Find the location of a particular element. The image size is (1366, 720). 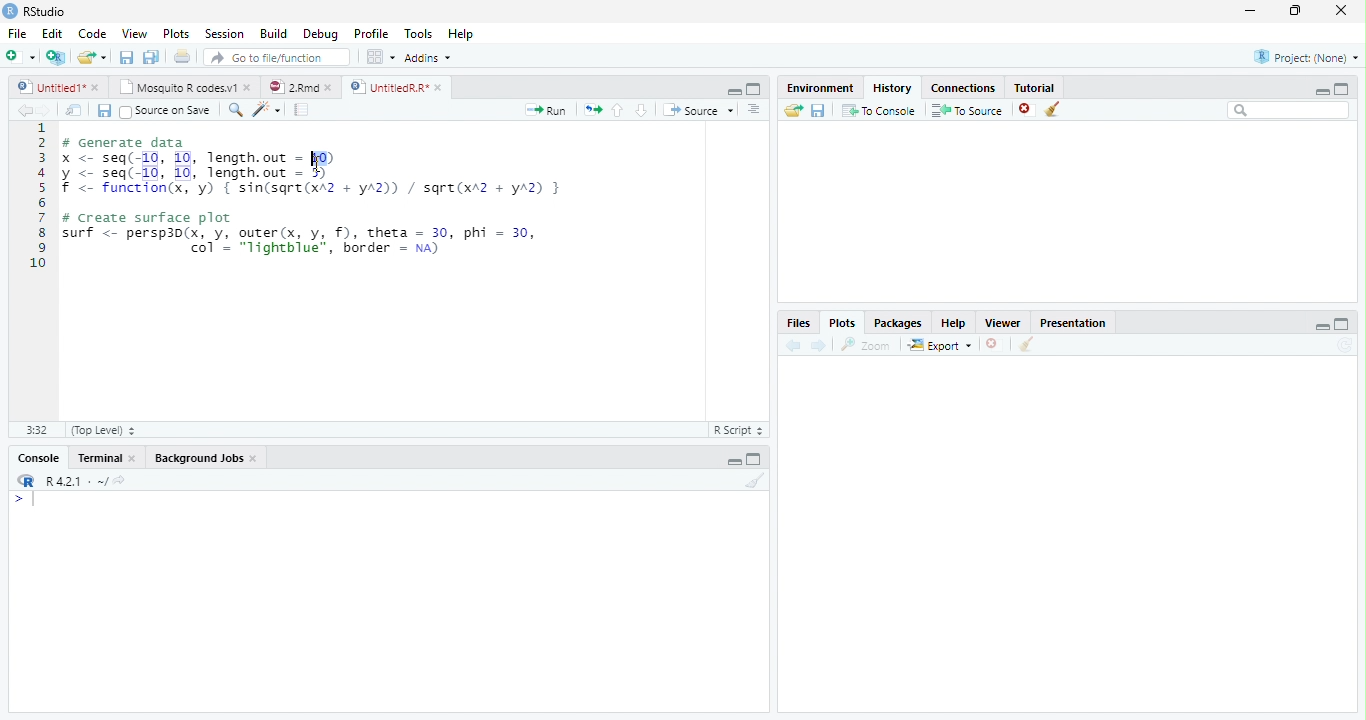

Addins is located at coordinates (428, 58).